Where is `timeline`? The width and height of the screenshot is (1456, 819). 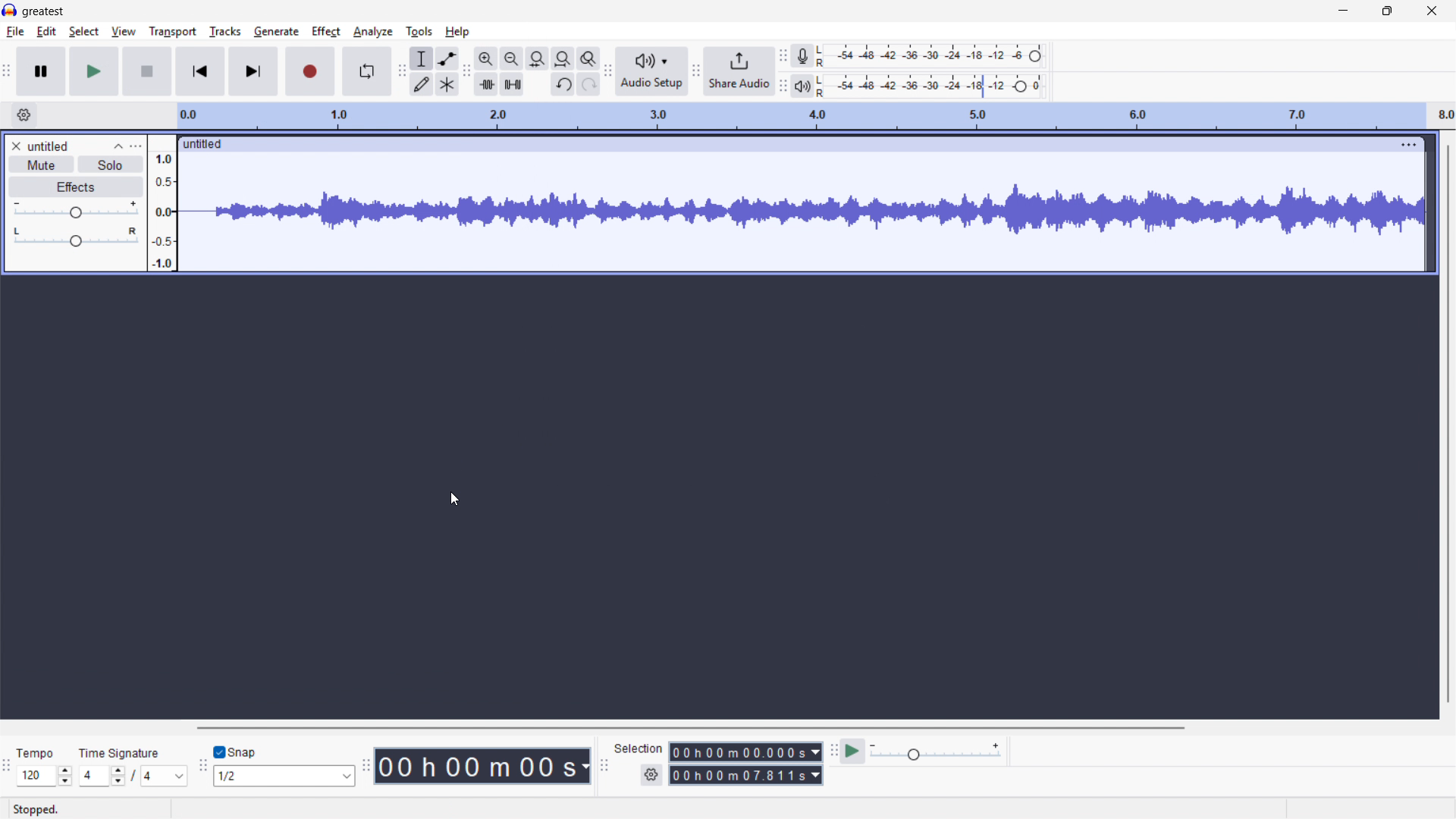 timeline is located at coordinates (816, 117).